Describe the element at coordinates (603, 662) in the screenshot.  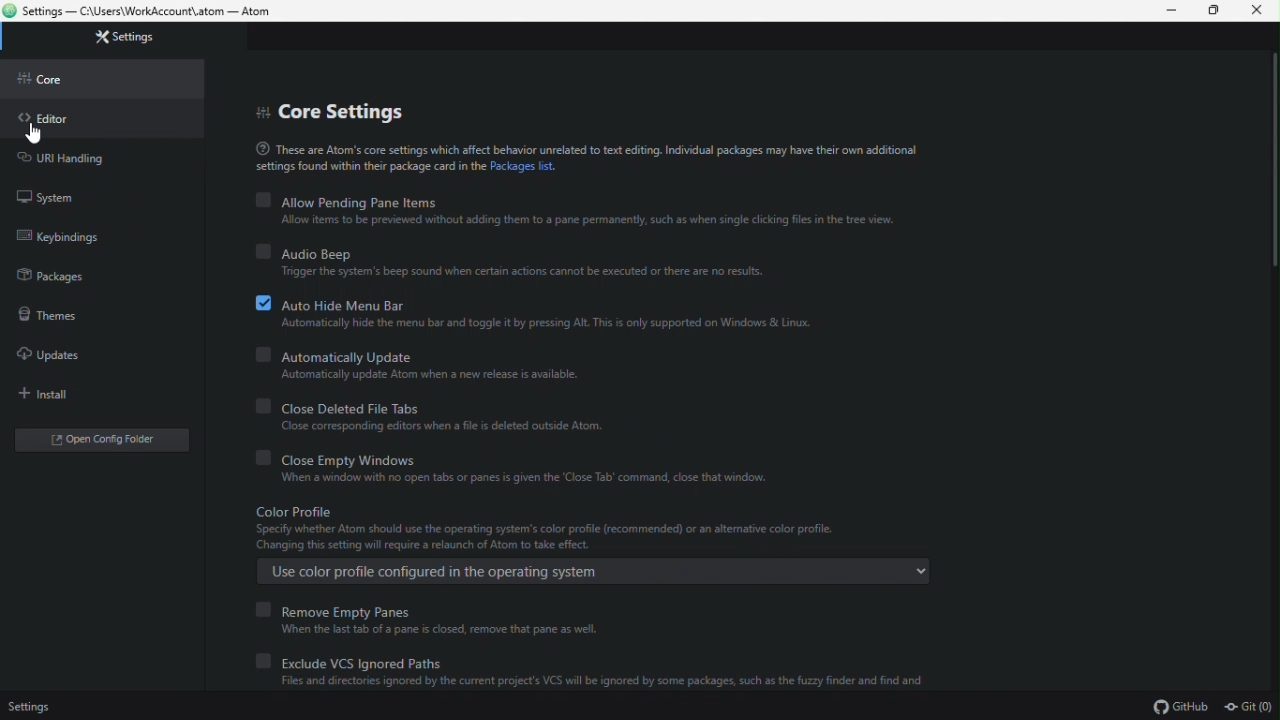
I see `Exclude VCS ignored paths` at that location.